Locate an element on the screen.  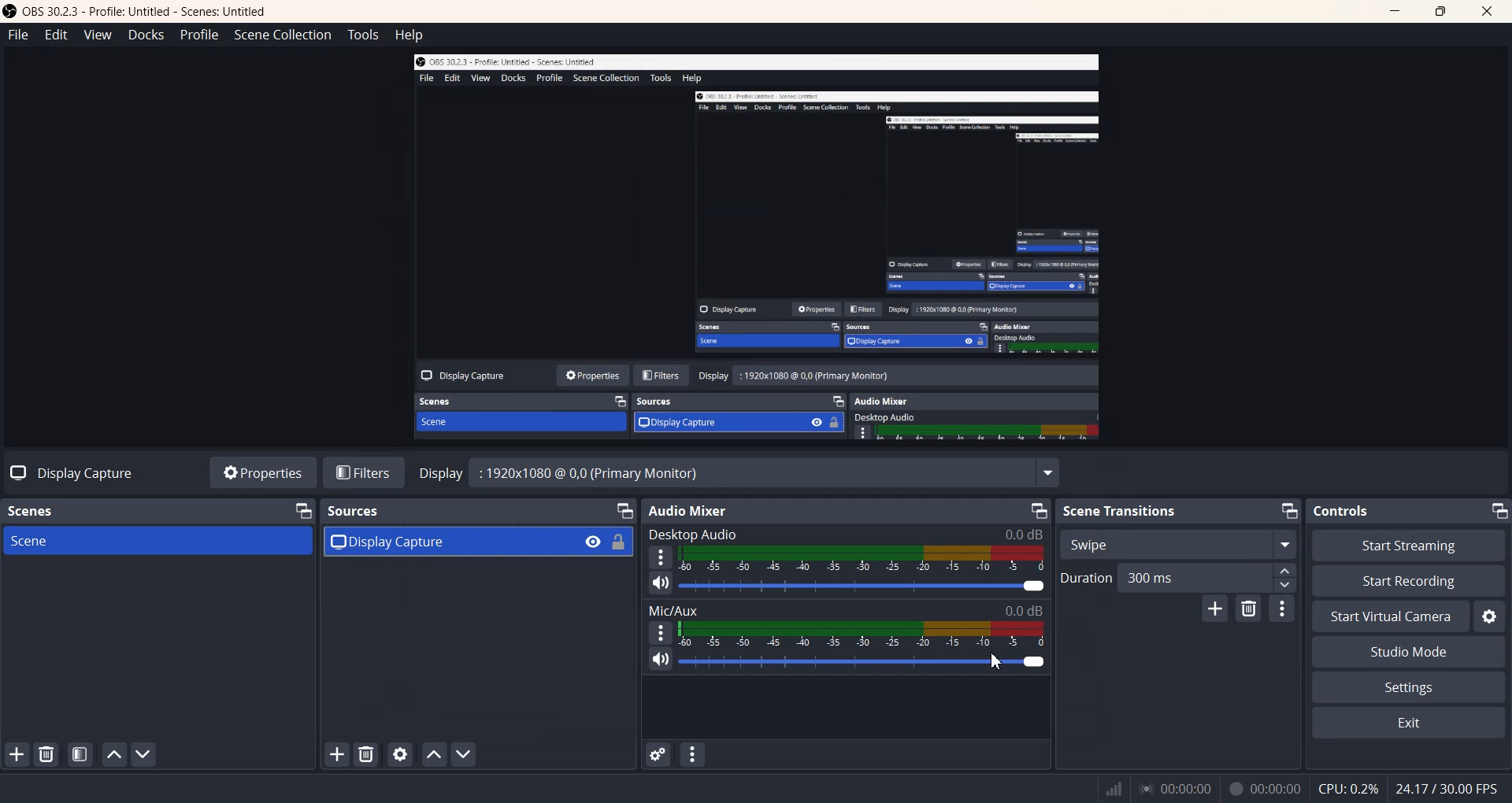
Advance Audio Properties is located at coordinates (657, 754).